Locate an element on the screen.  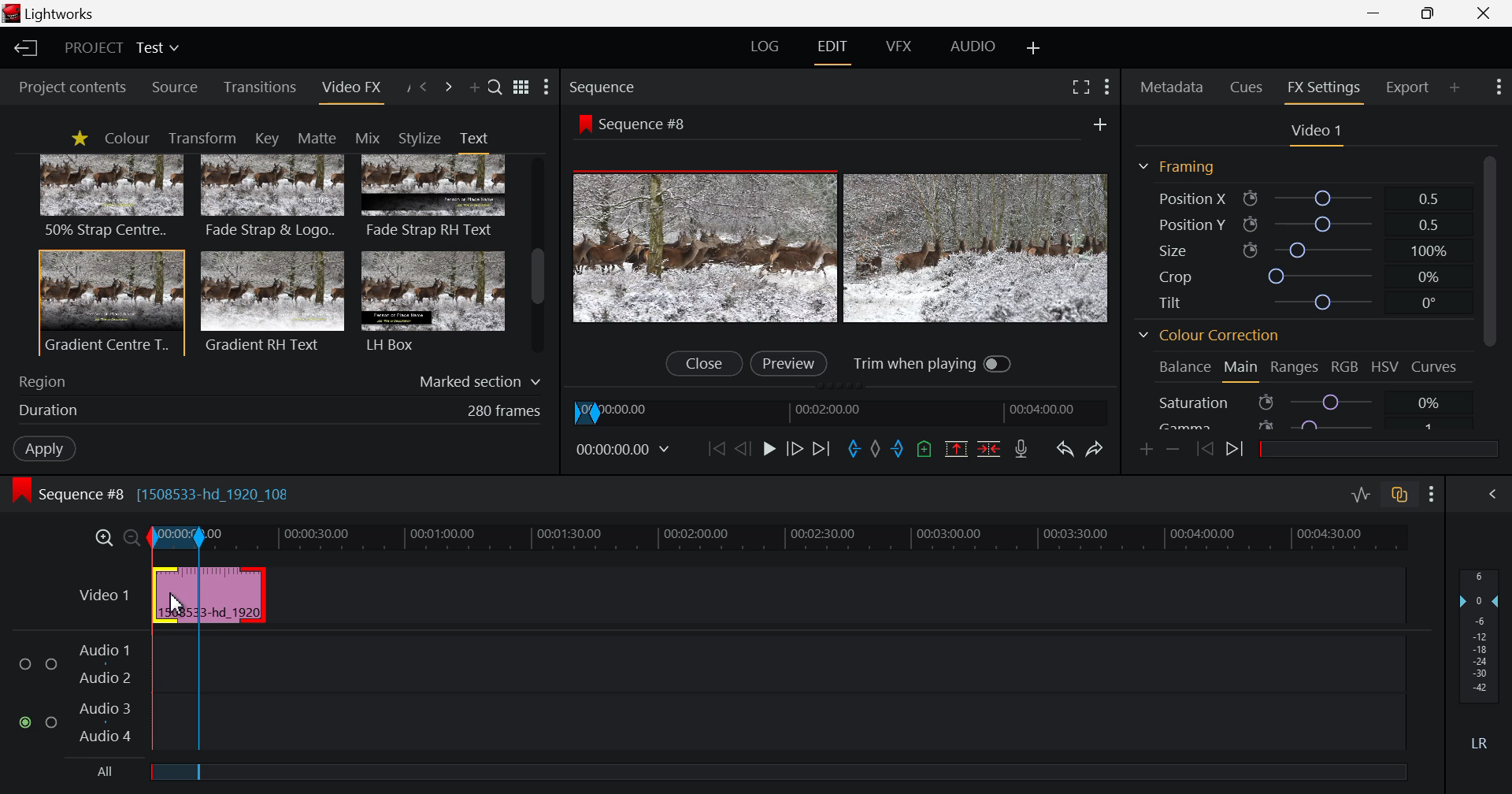
Audio Input Field is located at coordinates (780, 690).